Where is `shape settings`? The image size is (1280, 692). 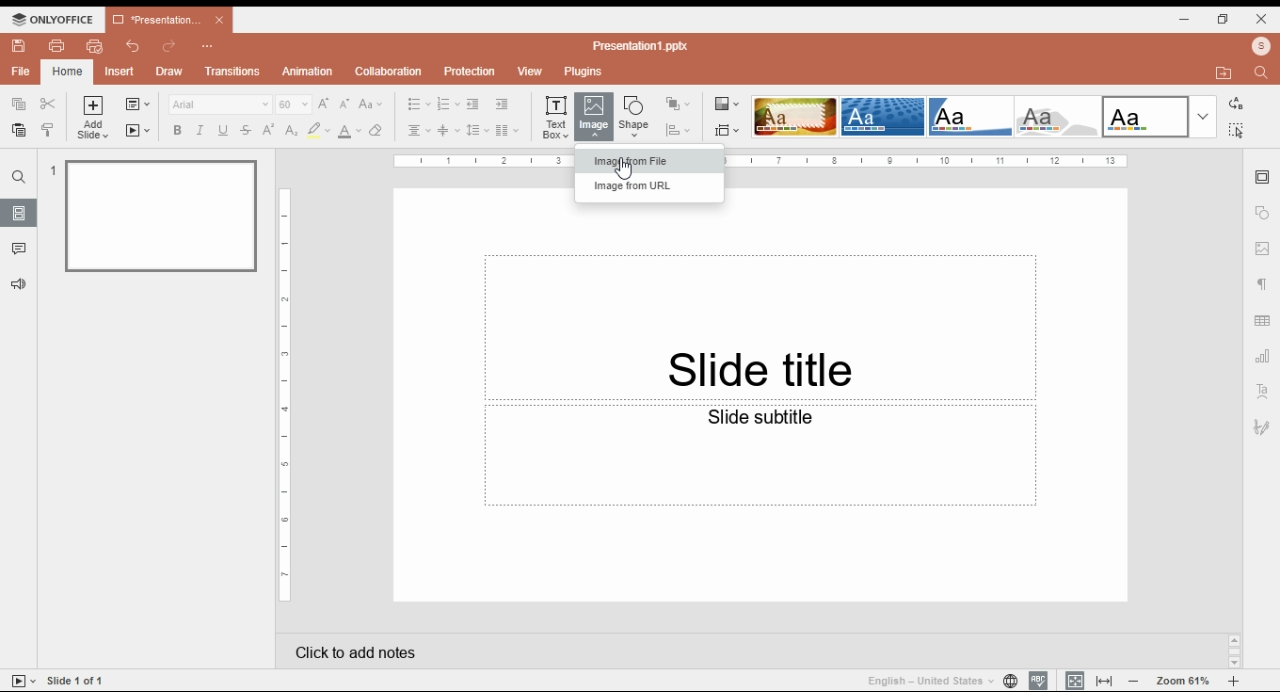
shape settings is located at coordinates (1262, 214).